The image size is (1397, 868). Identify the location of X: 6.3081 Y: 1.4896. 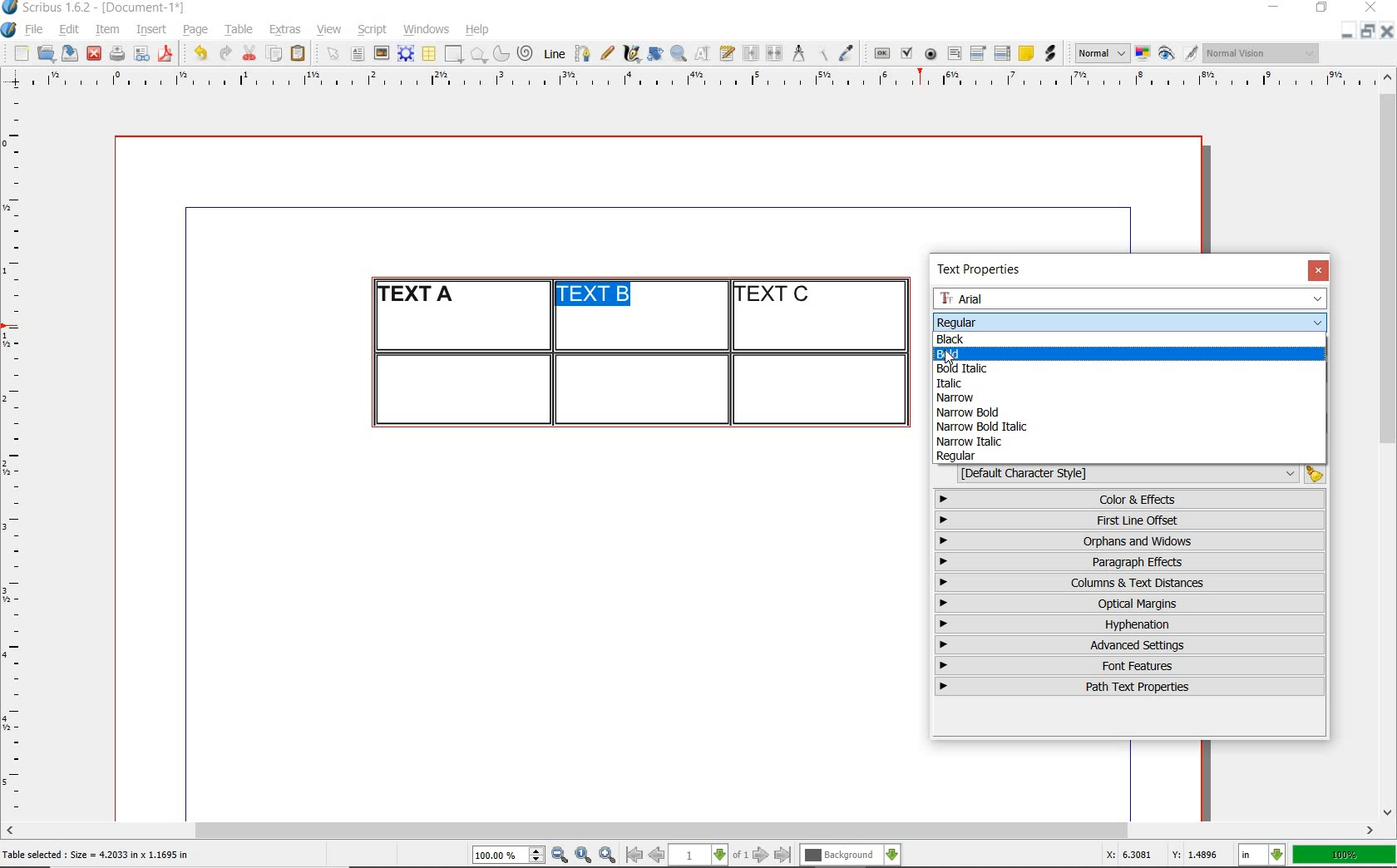
(1165, 855).